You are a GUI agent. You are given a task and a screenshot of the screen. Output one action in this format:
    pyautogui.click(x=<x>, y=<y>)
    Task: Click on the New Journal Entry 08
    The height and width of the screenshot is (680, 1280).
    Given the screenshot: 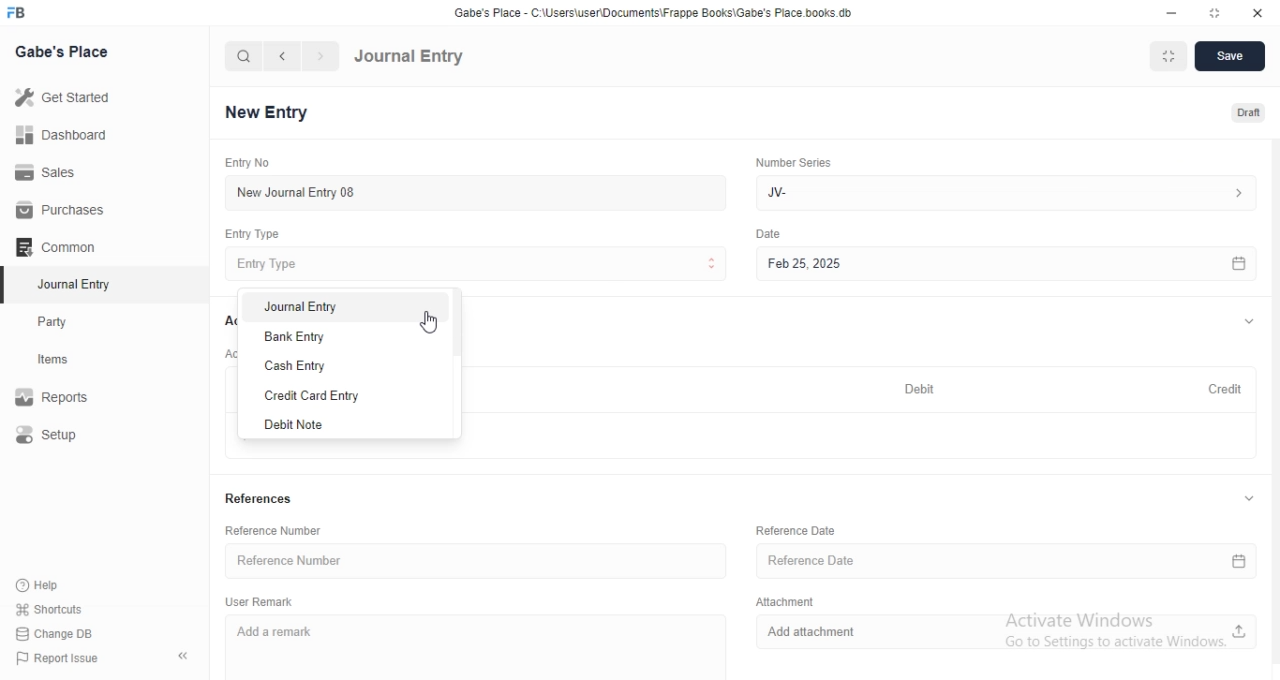 What is the action you would take?
    pyautogui.click(x=470, y=192)
    